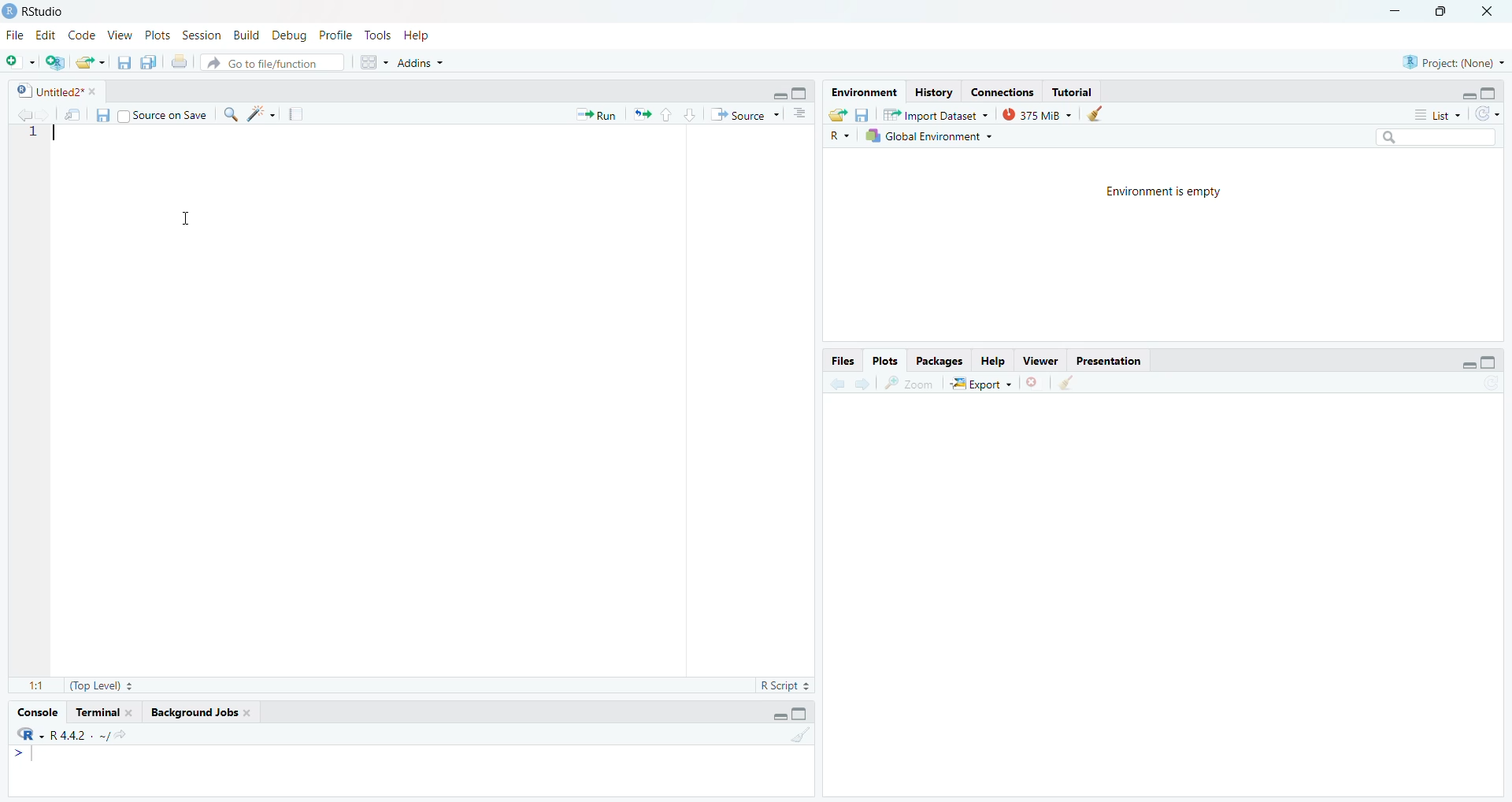 The height and width of the screenshot is (802, 1512). I want to click on connections, so click(1000, 91).